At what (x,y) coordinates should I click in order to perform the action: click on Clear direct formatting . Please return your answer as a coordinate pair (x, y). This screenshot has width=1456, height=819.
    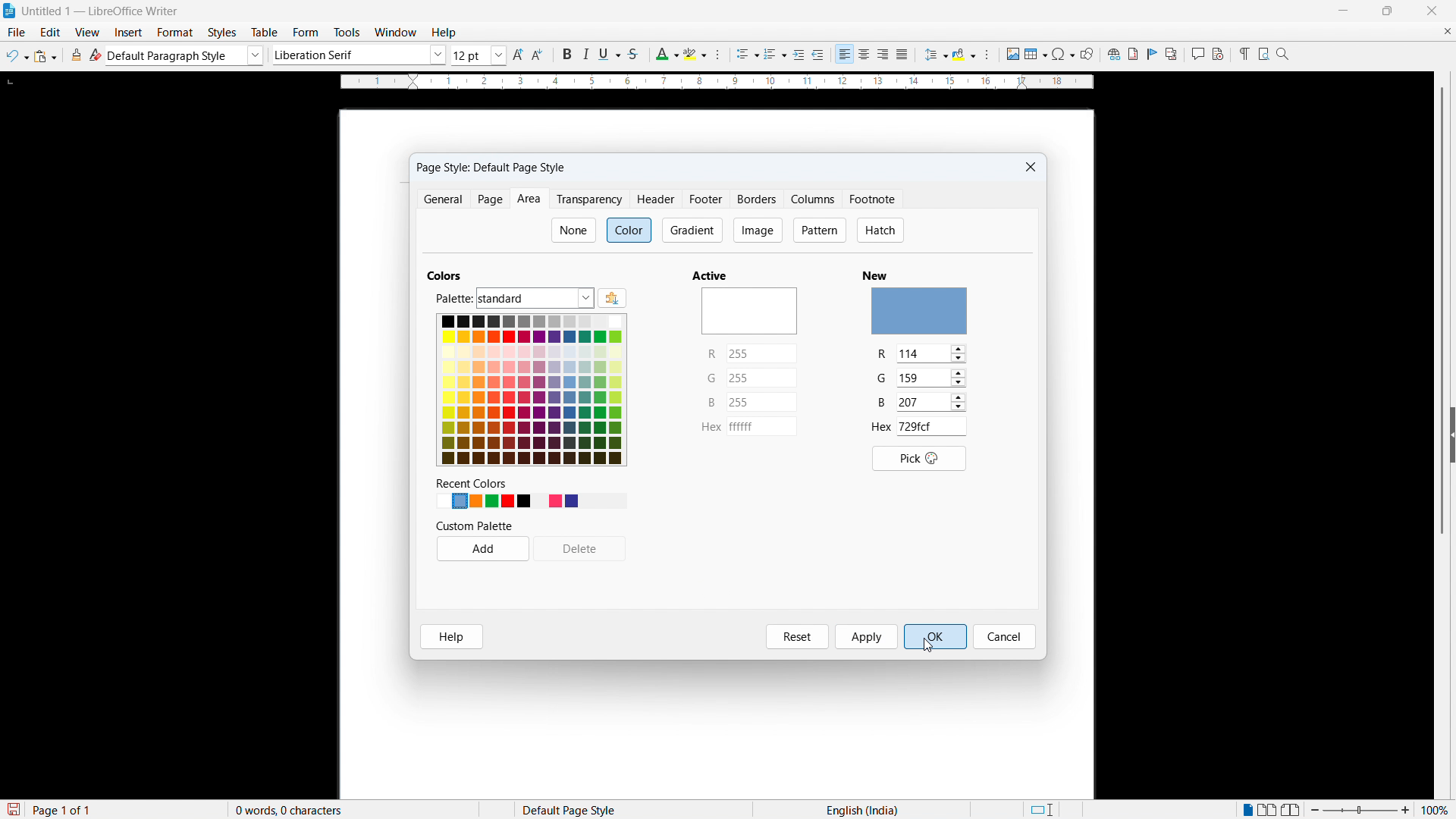
    Looking at the image, I should click on (96, 55).